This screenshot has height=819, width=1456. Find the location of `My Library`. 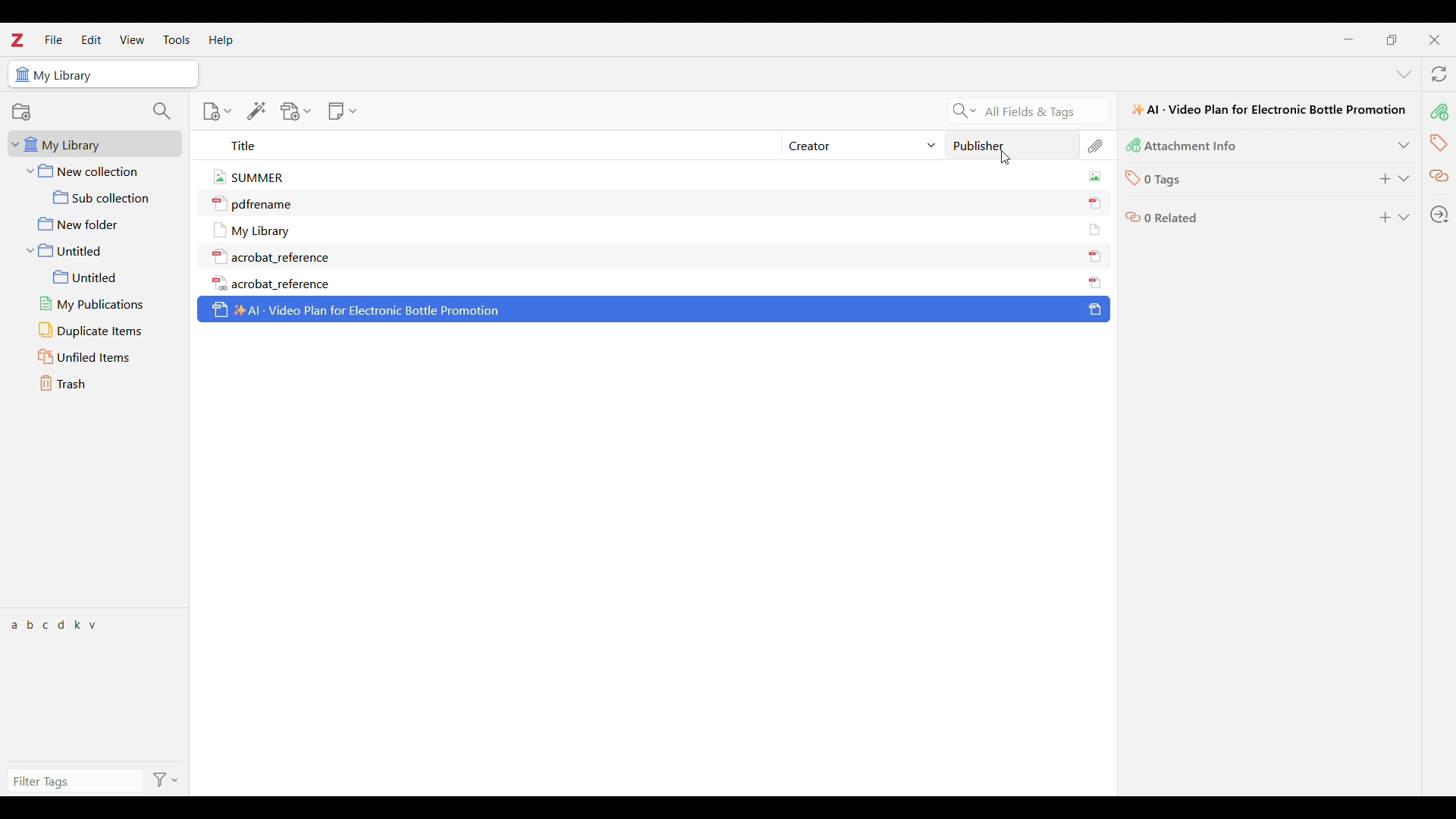

My Library is located at coordinates (259, 231).